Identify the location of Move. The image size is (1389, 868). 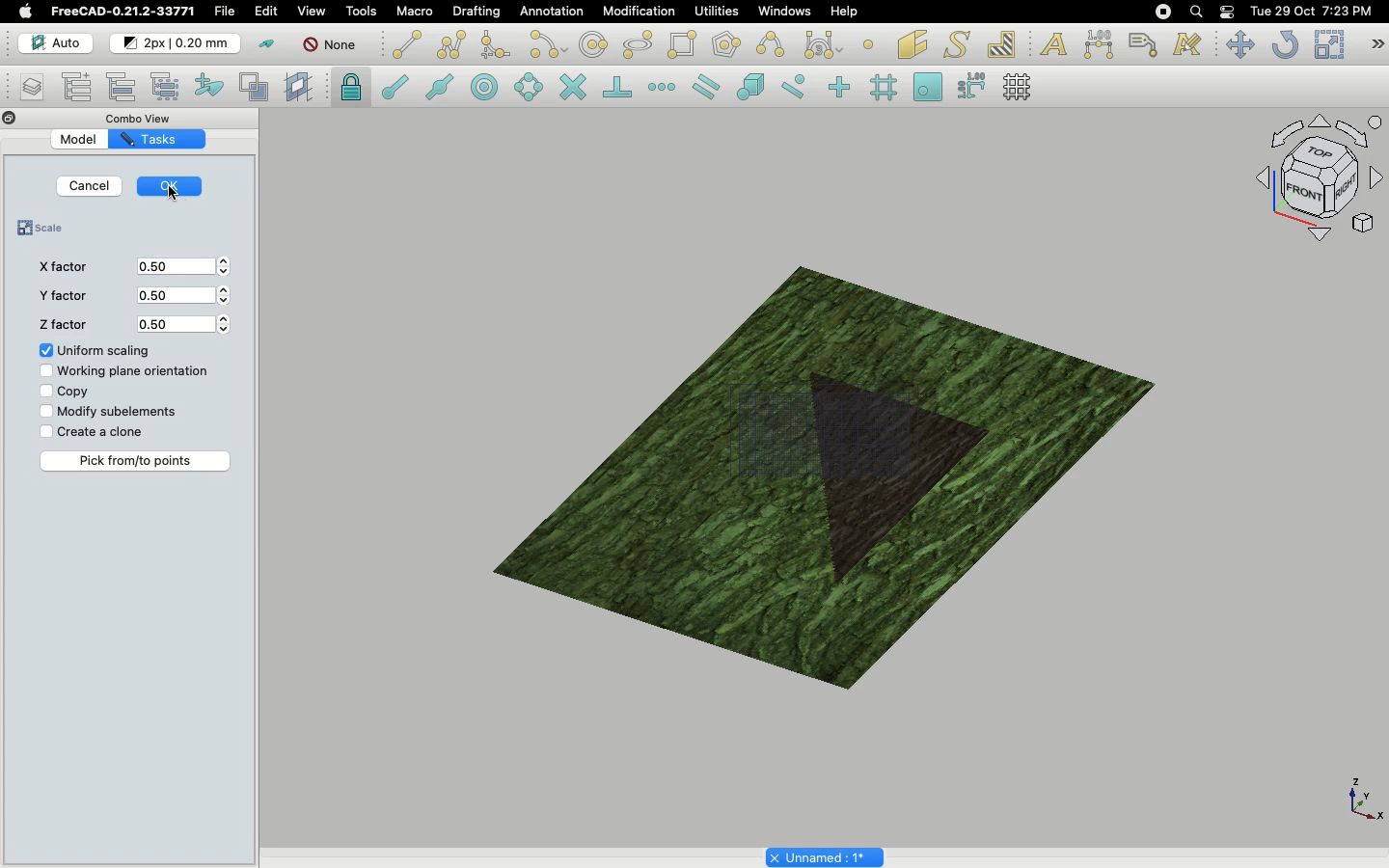
(1239, 45).